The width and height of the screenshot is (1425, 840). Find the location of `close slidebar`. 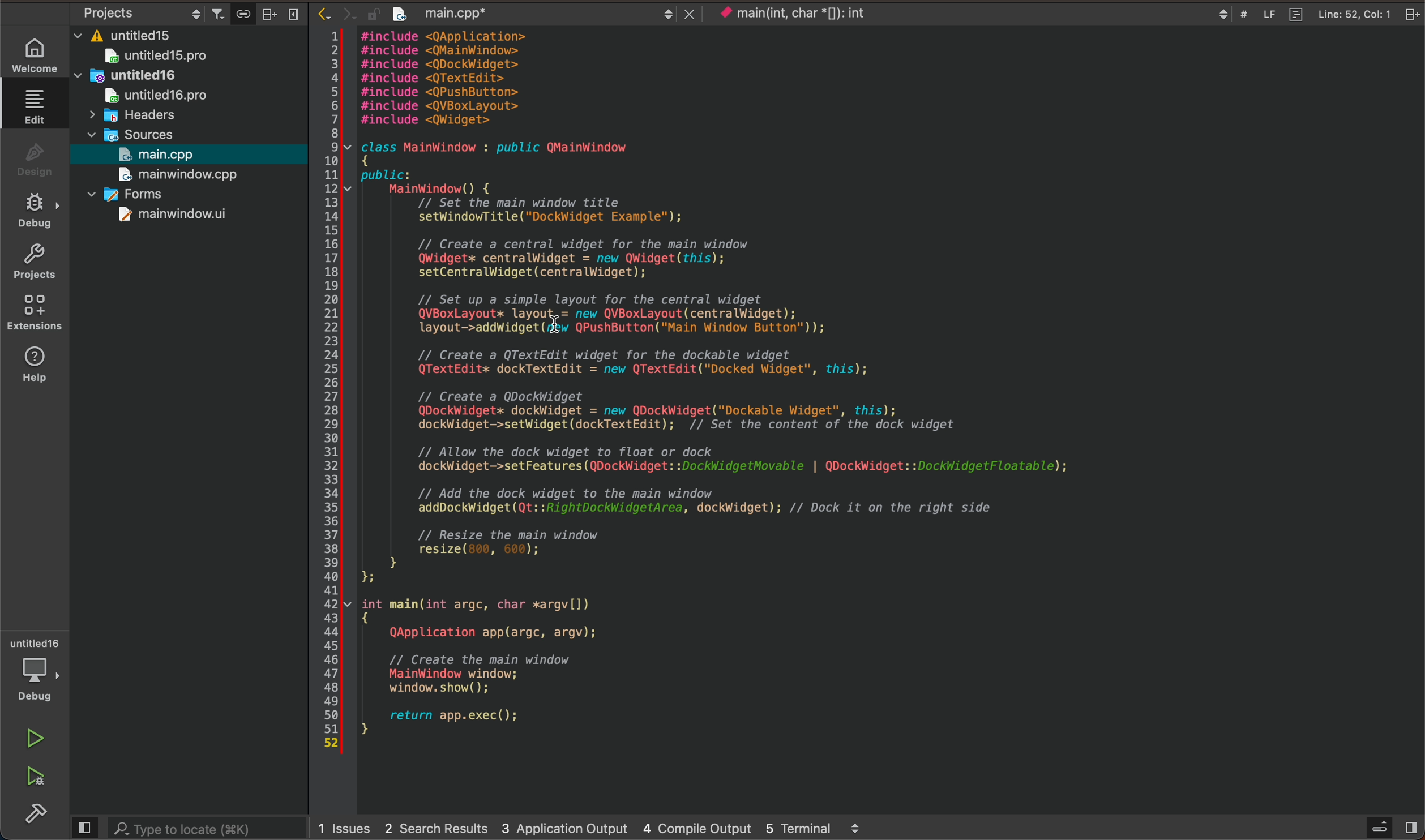

close slidebar is located at coordinates (83, 827).